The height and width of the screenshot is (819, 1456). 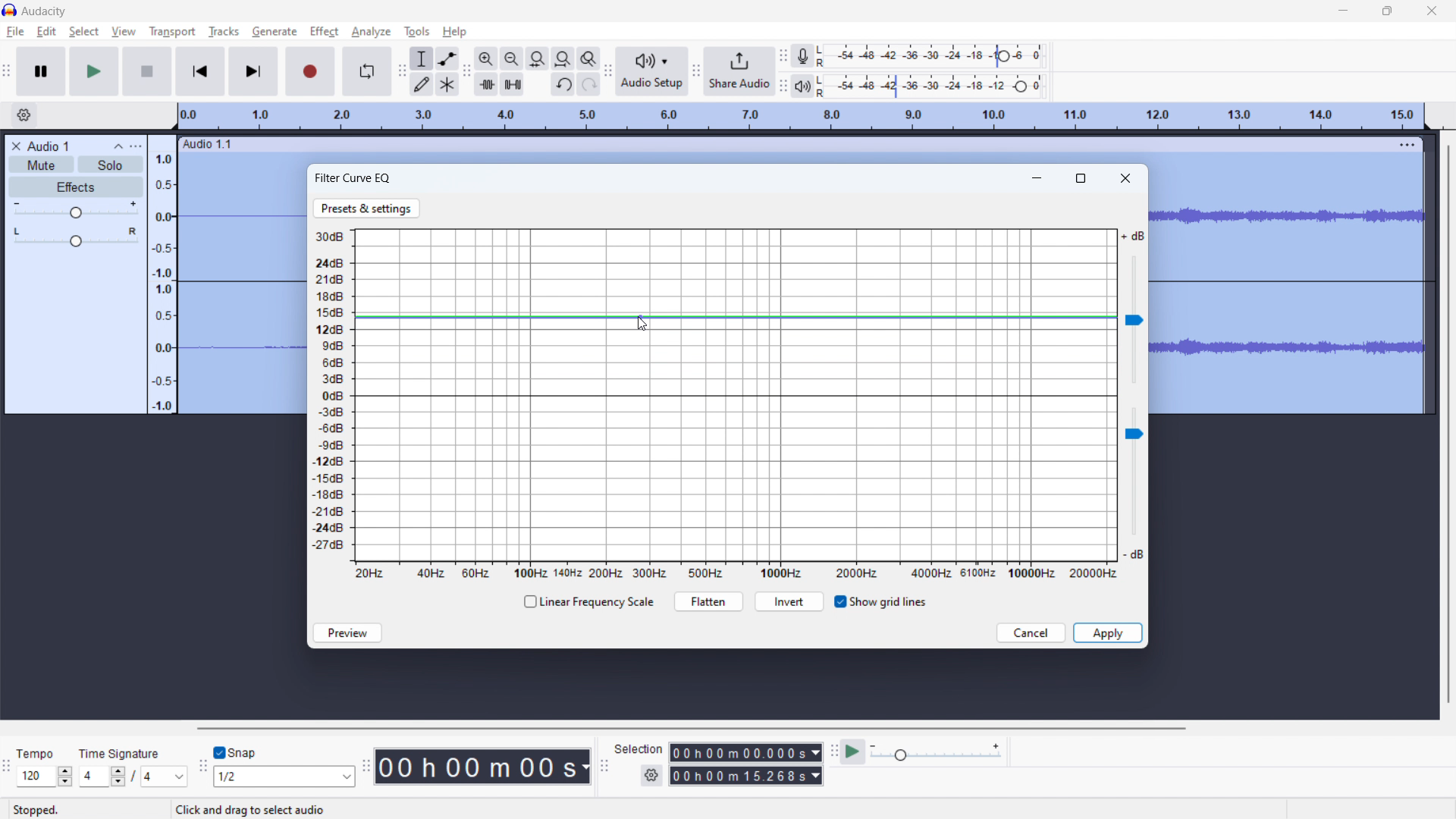 What do you see at coordinates (562, 85) in the screenshot?
I see `undo` at bounding box center [562, 85].